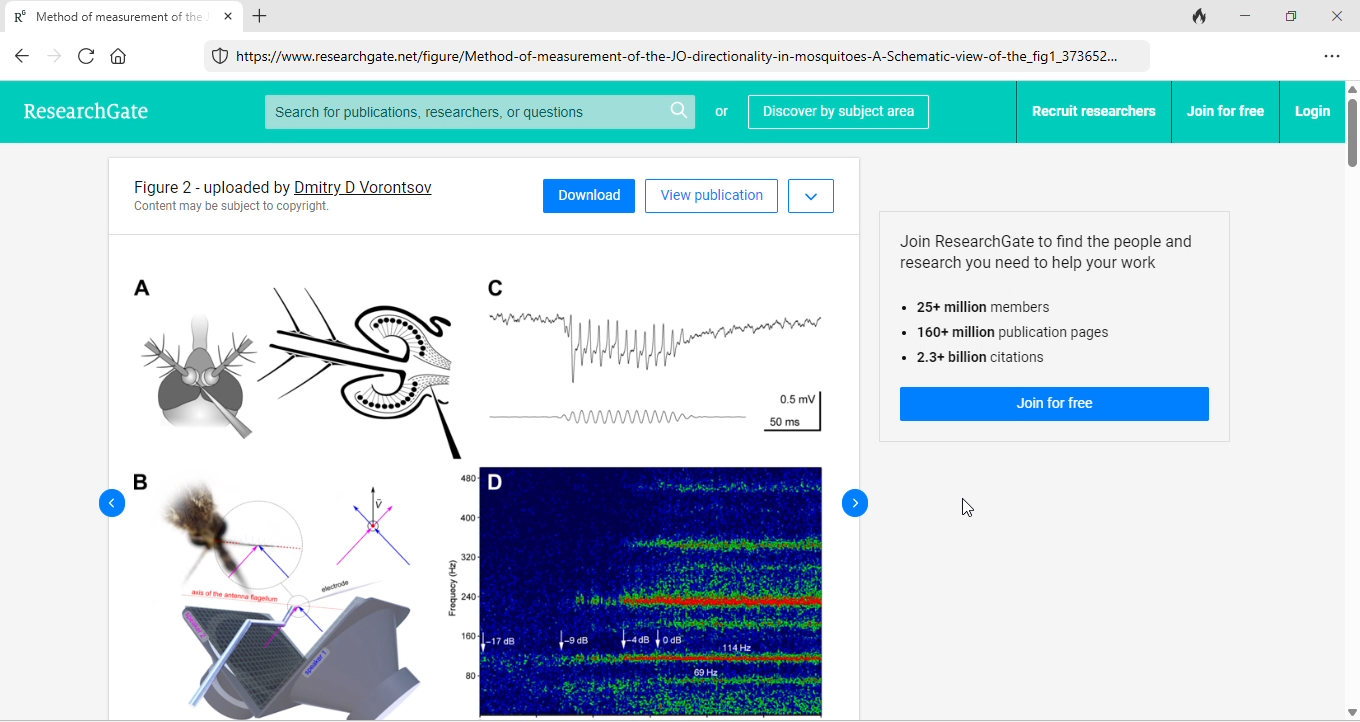  What do you see at coordinates (1333, 56) in the screenshot?
I see `option` at bounding box center [1333, 56].